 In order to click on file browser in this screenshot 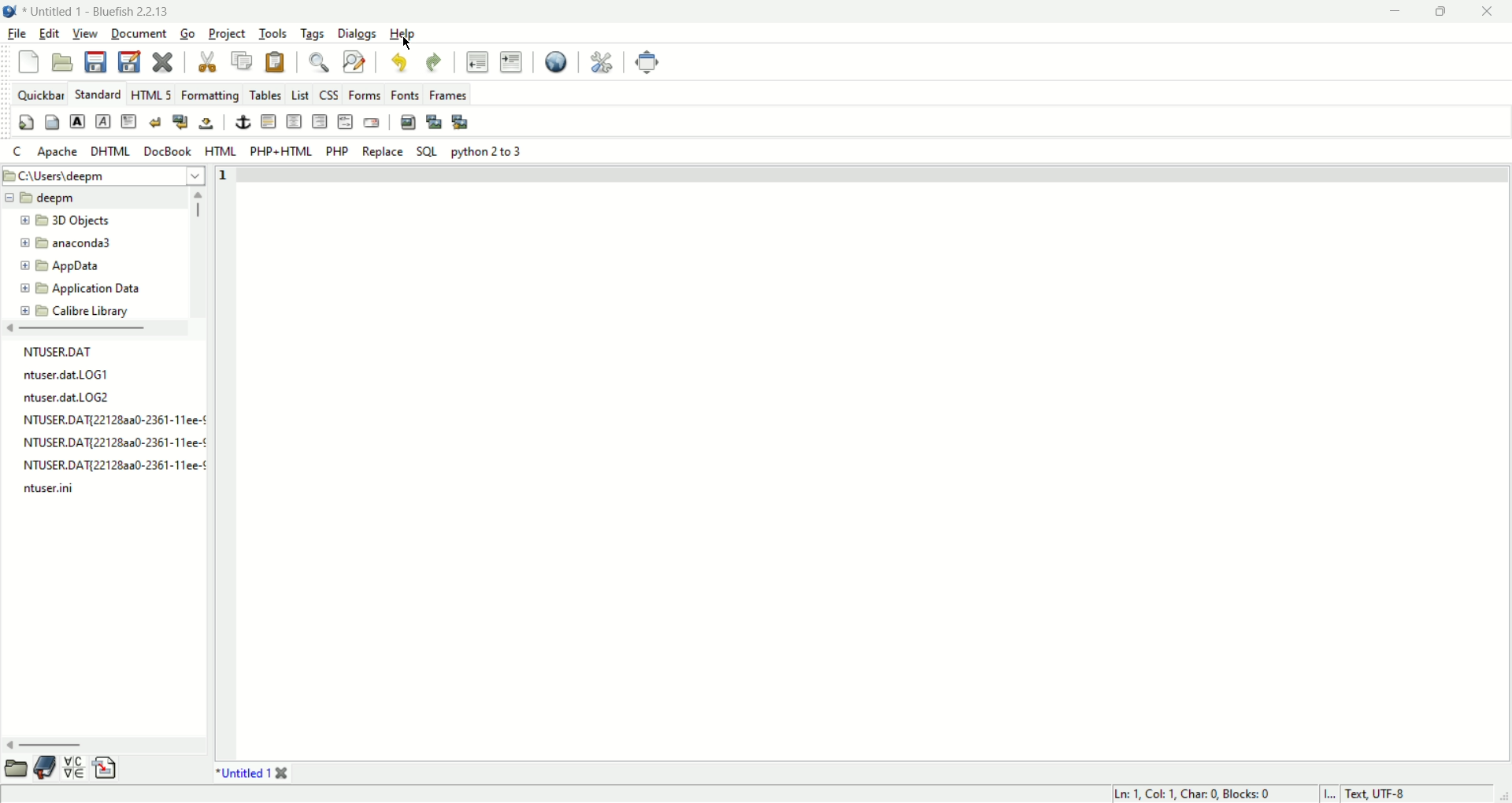, I will do `click(16, 767)`.